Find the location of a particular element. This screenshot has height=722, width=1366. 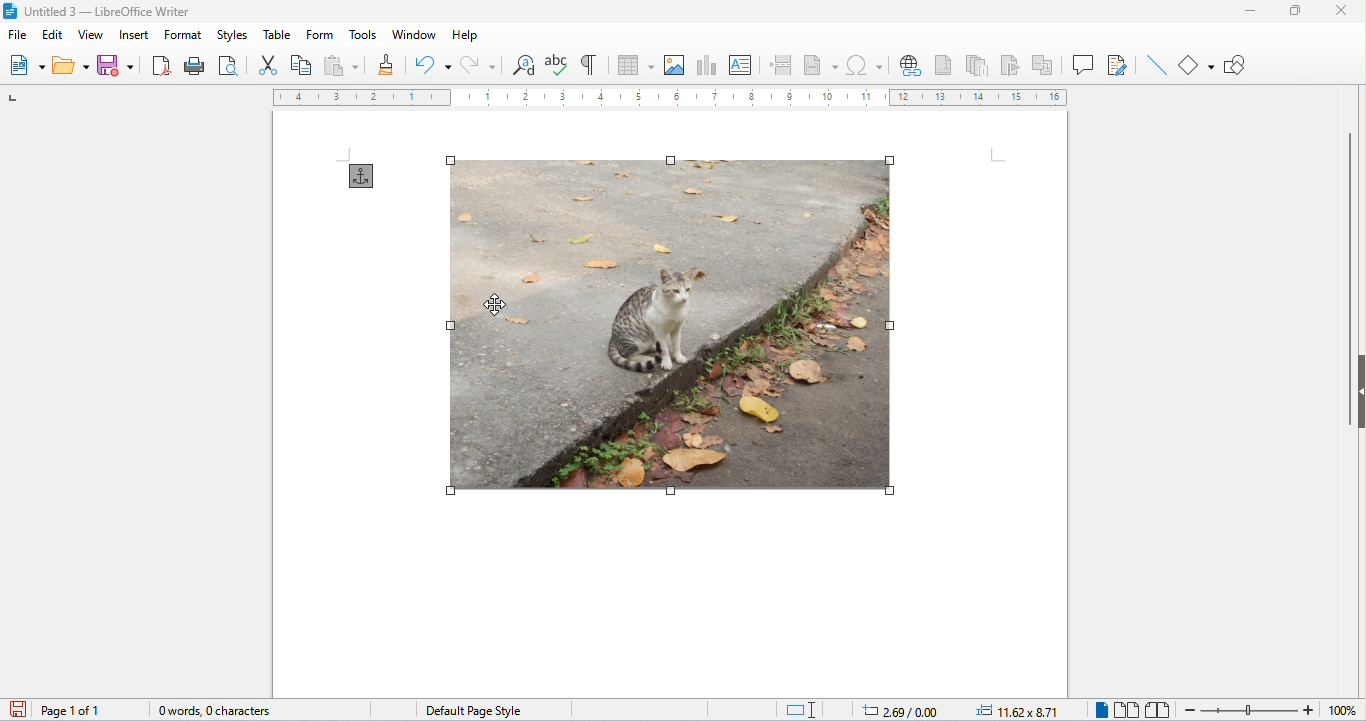

object position is located at coordinates (1019, 710).